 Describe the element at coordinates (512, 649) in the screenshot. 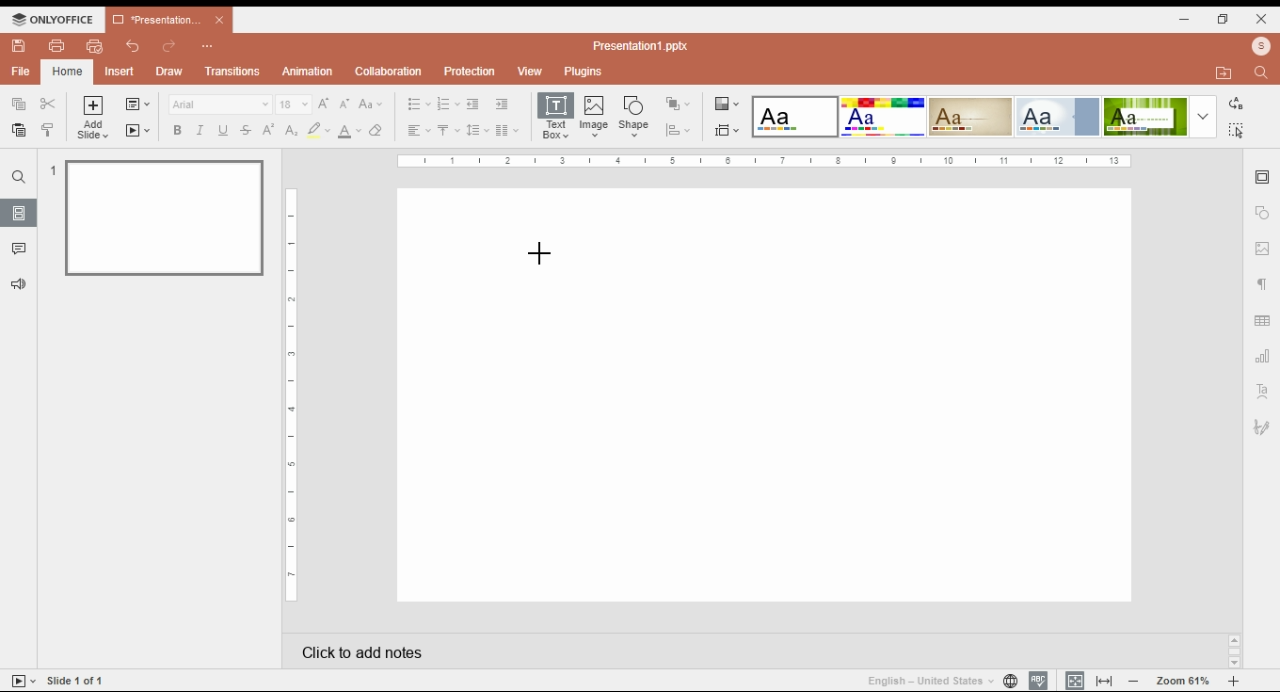

I see `click to add notes` at that location.